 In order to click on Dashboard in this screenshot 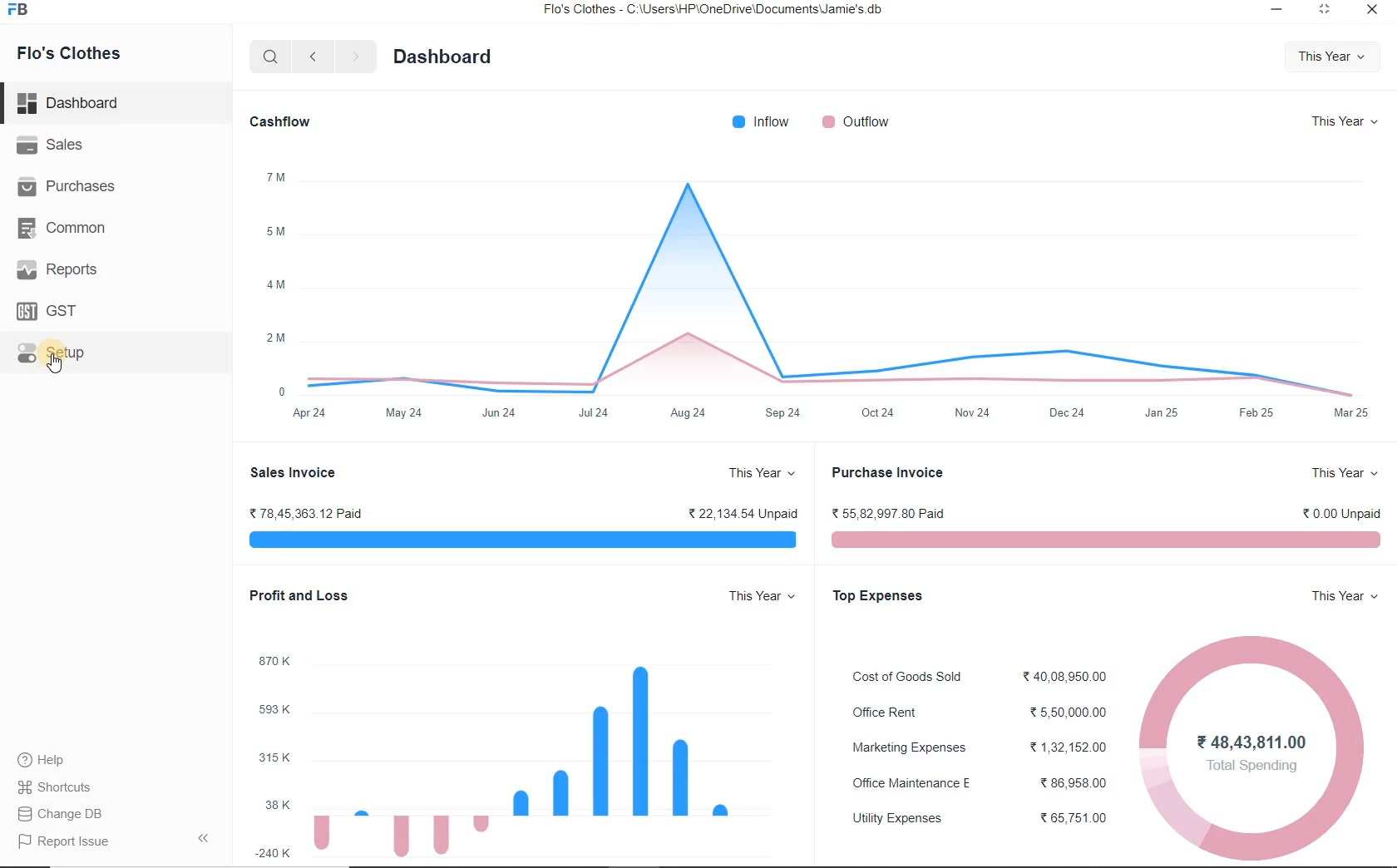, I will do `click(447, 57)`.